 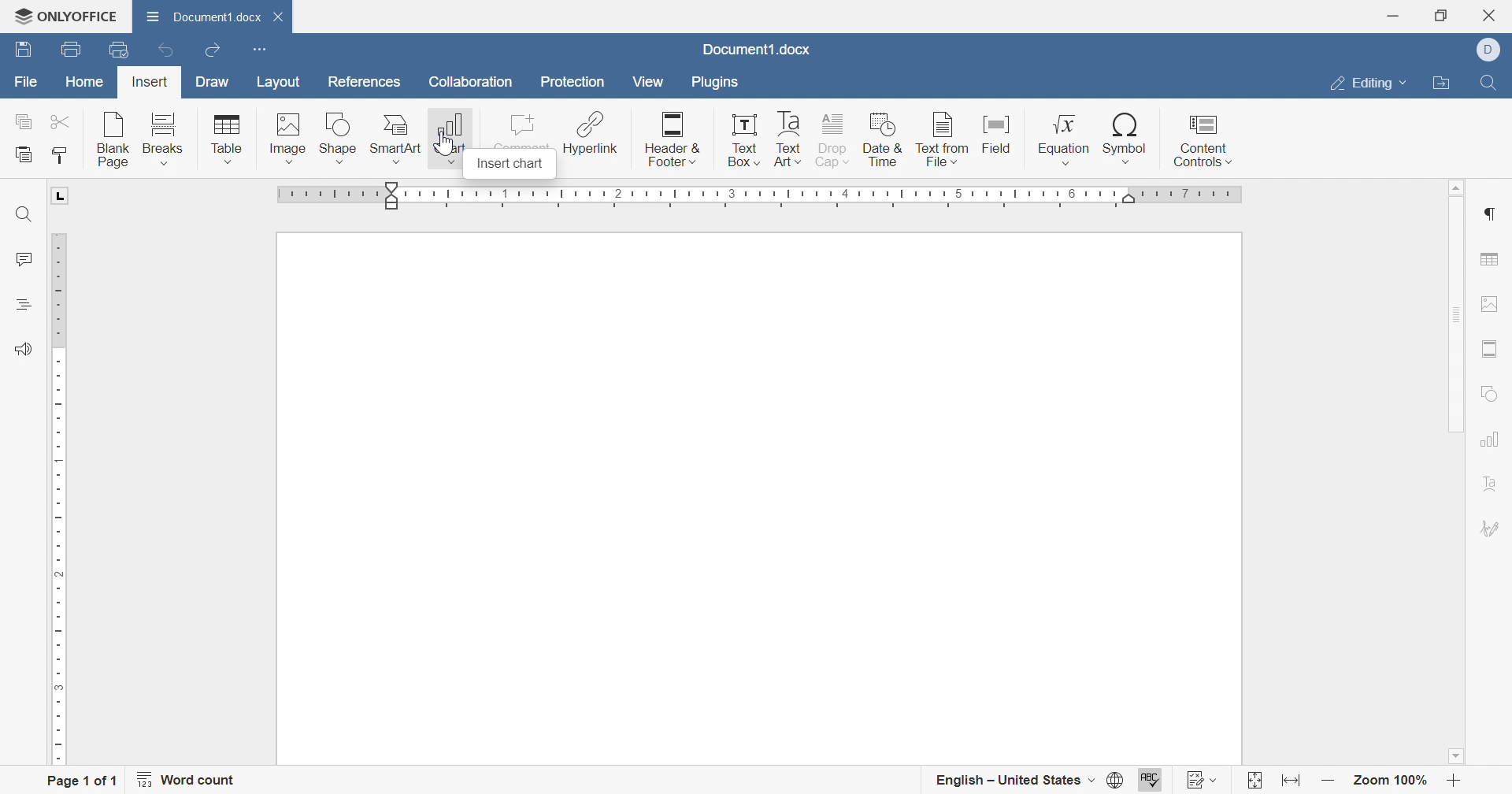 I want to click on Scroll Down, so click(x=1455, y=755).